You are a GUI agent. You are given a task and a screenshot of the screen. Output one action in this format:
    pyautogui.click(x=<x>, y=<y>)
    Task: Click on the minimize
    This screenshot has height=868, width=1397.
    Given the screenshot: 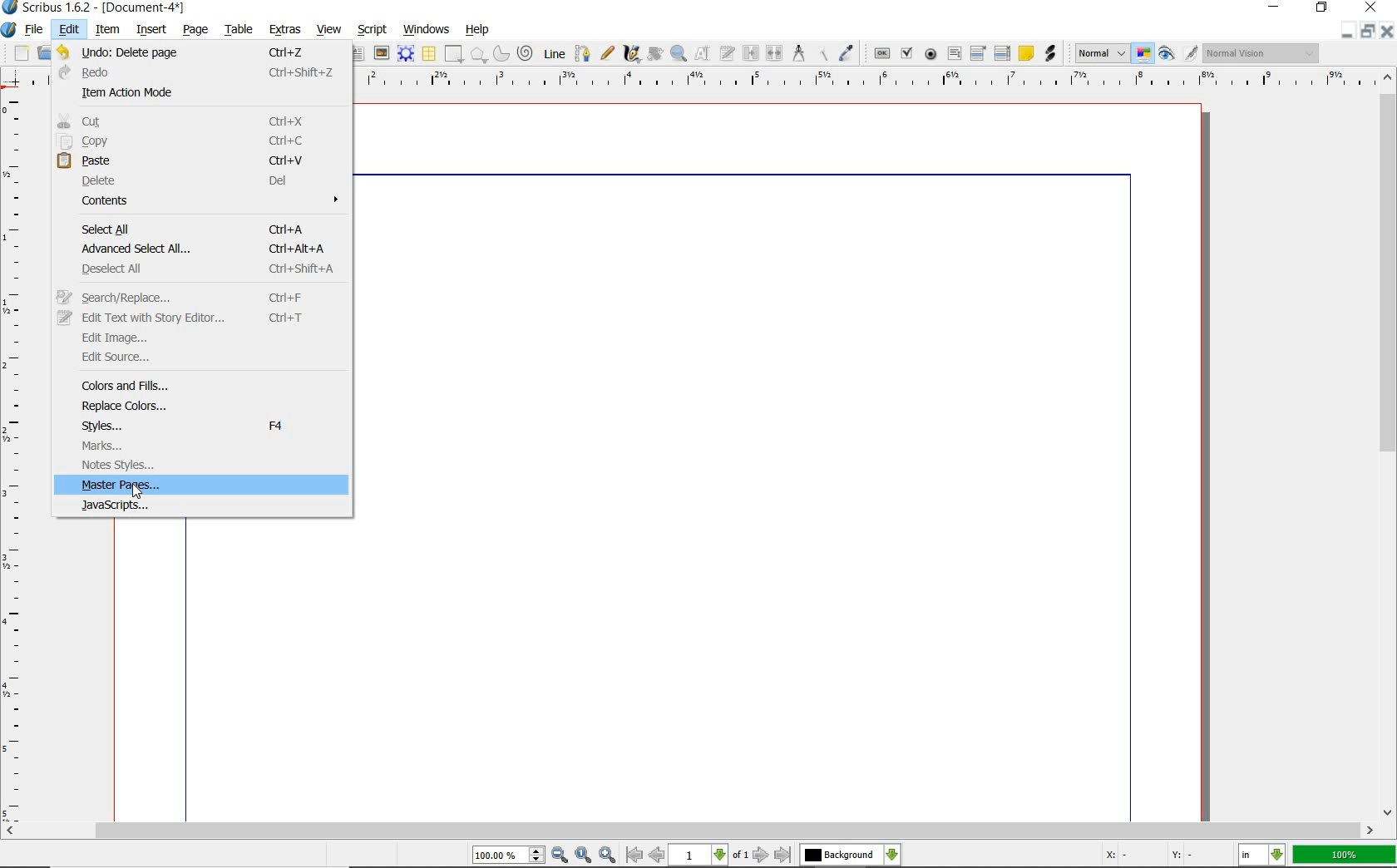 What is the action you would take?
    pyautogui.click(x=1349, y=31)
    